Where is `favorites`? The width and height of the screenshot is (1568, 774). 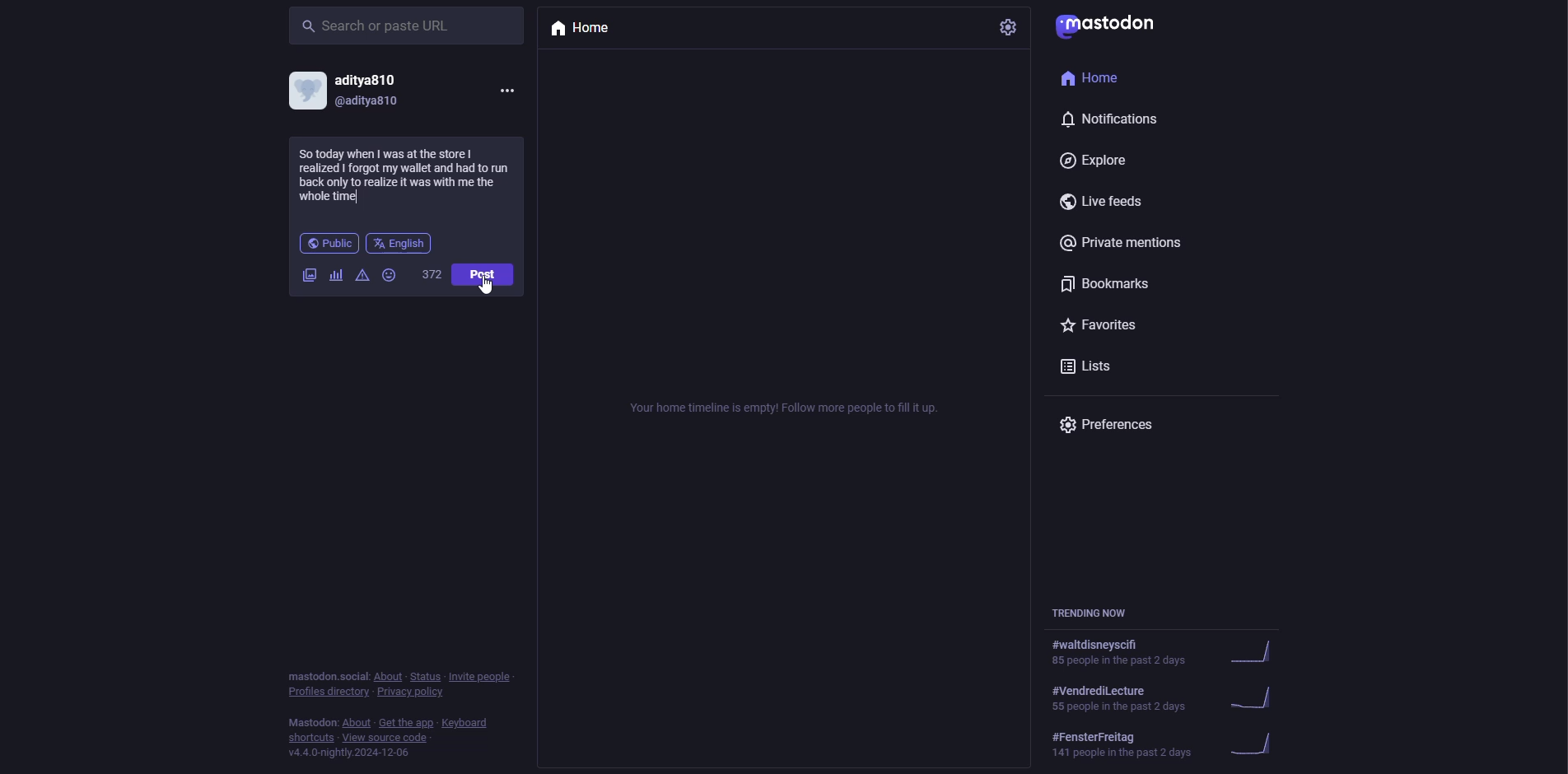 favorites is located at coordinates (1102, 325).